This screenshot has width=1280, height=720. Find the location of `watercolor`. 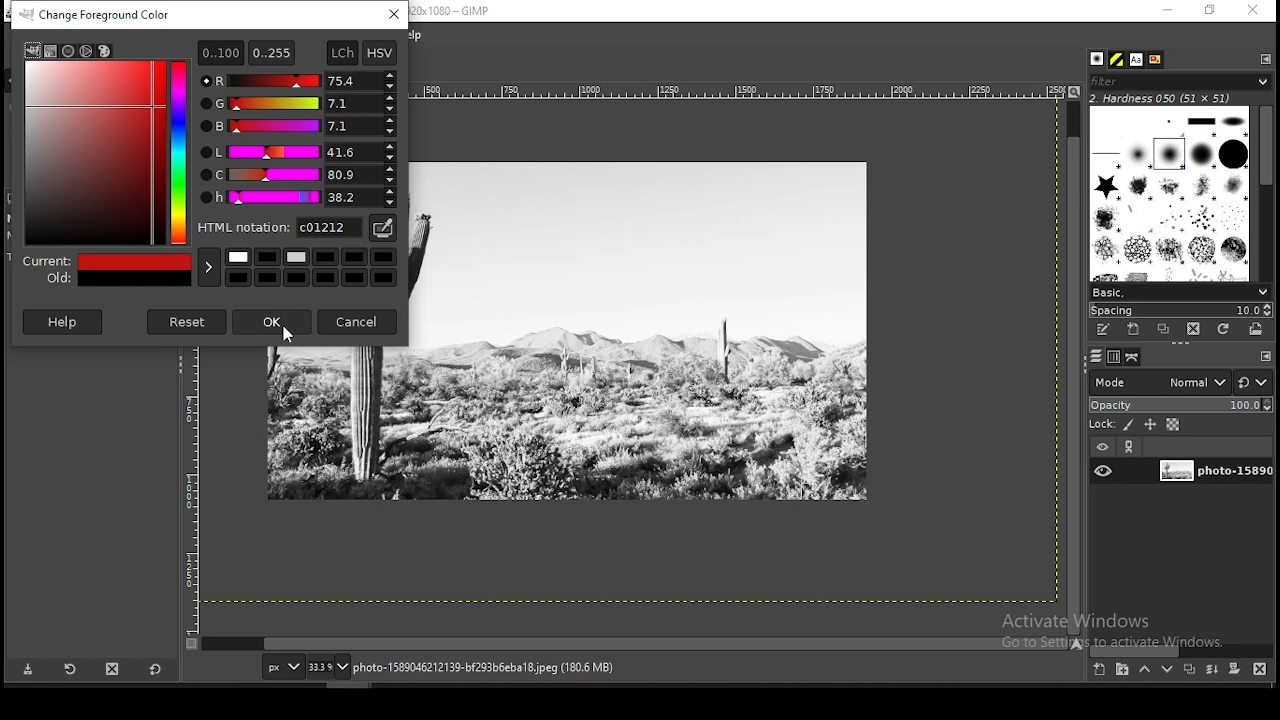

watercolor is located at coordinates (87, 51).